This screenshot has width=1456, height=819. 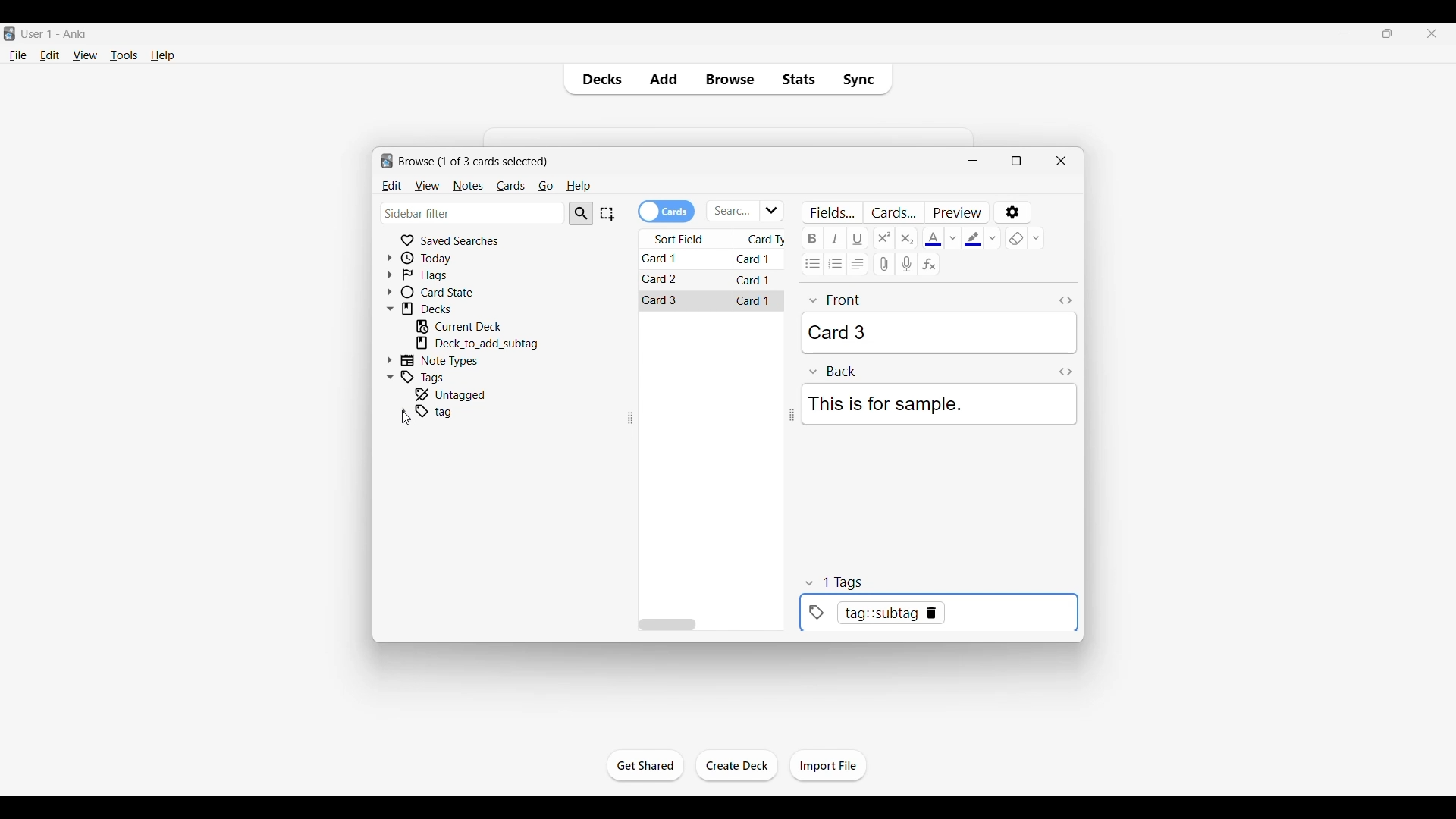 I want to click on Search, so click(x=581, y=214).